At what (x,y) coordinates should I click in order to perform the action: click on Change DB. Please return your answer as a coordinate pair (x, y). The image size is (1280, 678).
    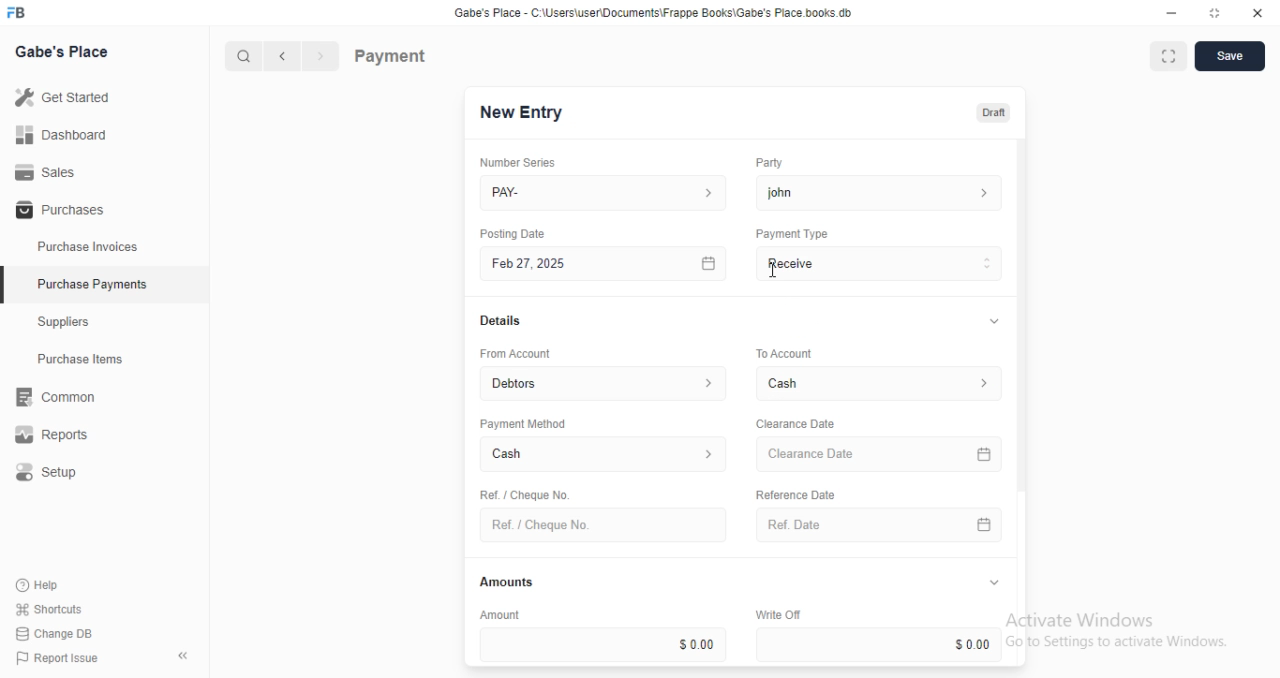
    Looking at the image, I should click on (52, 632).